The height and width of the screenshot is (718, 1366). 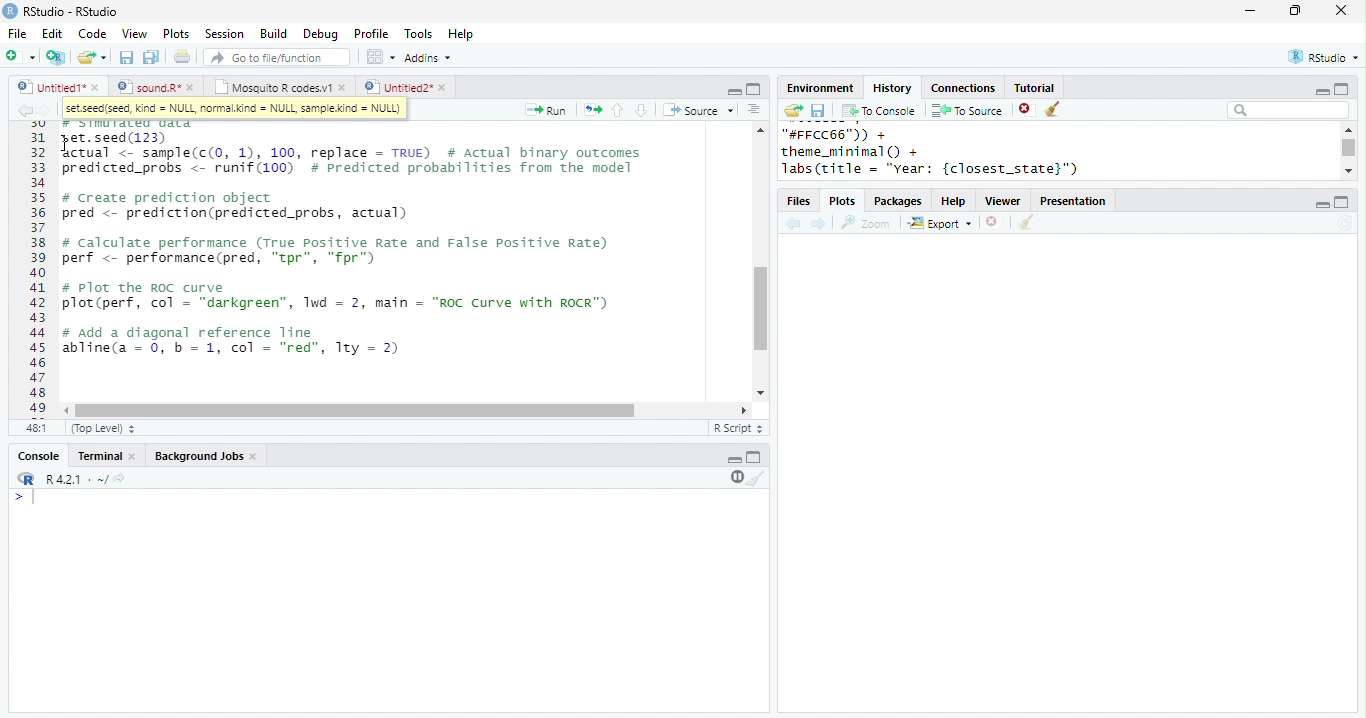 What do you see at coordinates (734, 460) in the screenshot?
I see `minimize` at bounding box center [734, 460].